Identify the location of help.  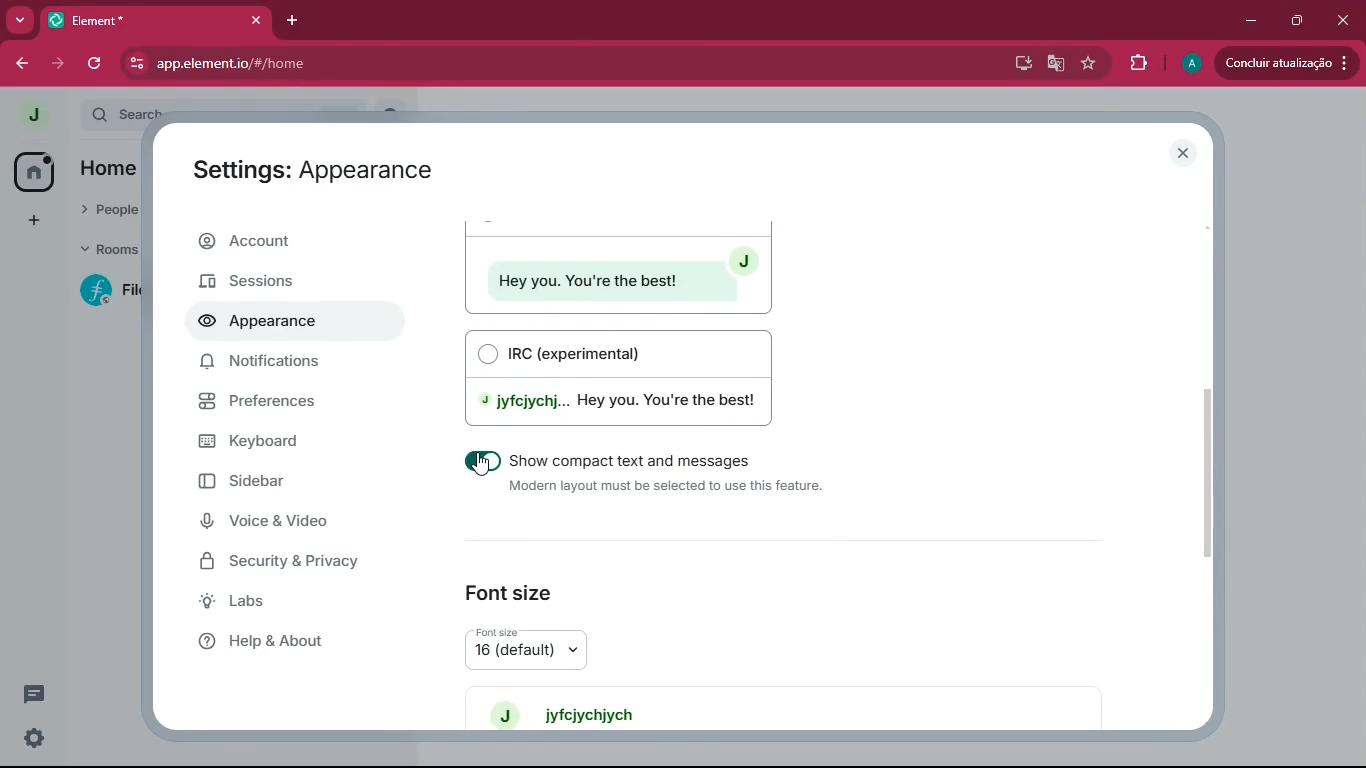
(289, 640).